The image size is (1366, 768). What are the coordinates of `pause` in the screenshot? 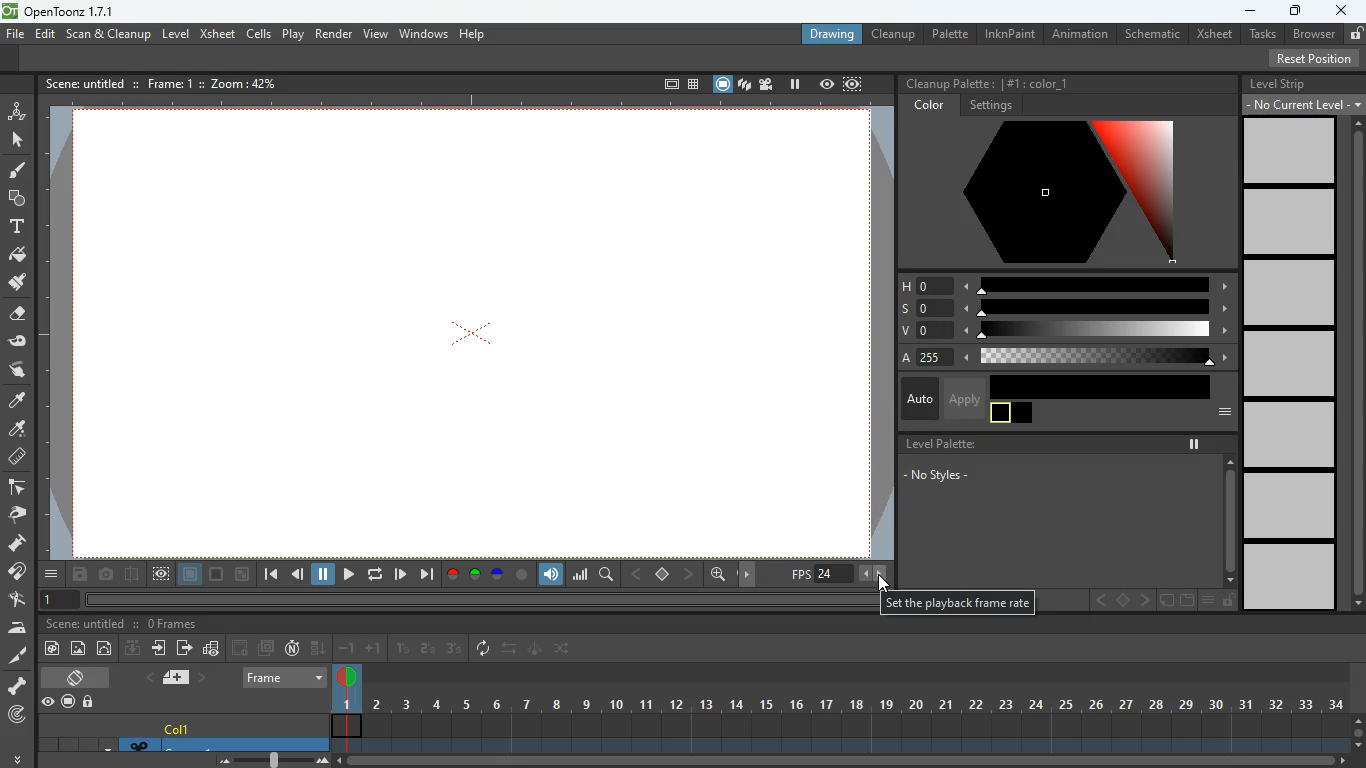 It's located at (794, 84).